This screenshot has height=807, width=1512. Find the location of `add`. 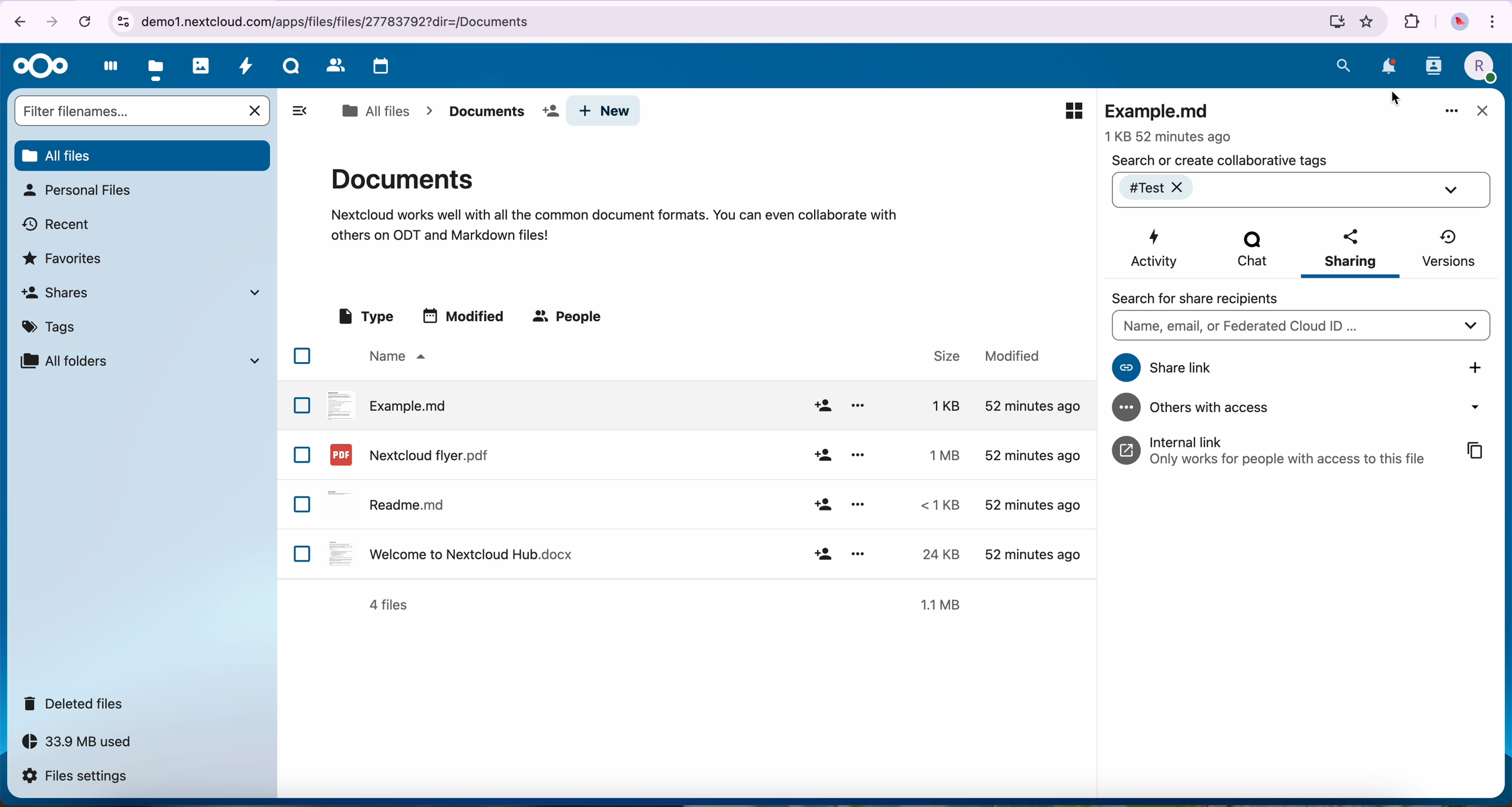

add is located at coordinates (822, 406).